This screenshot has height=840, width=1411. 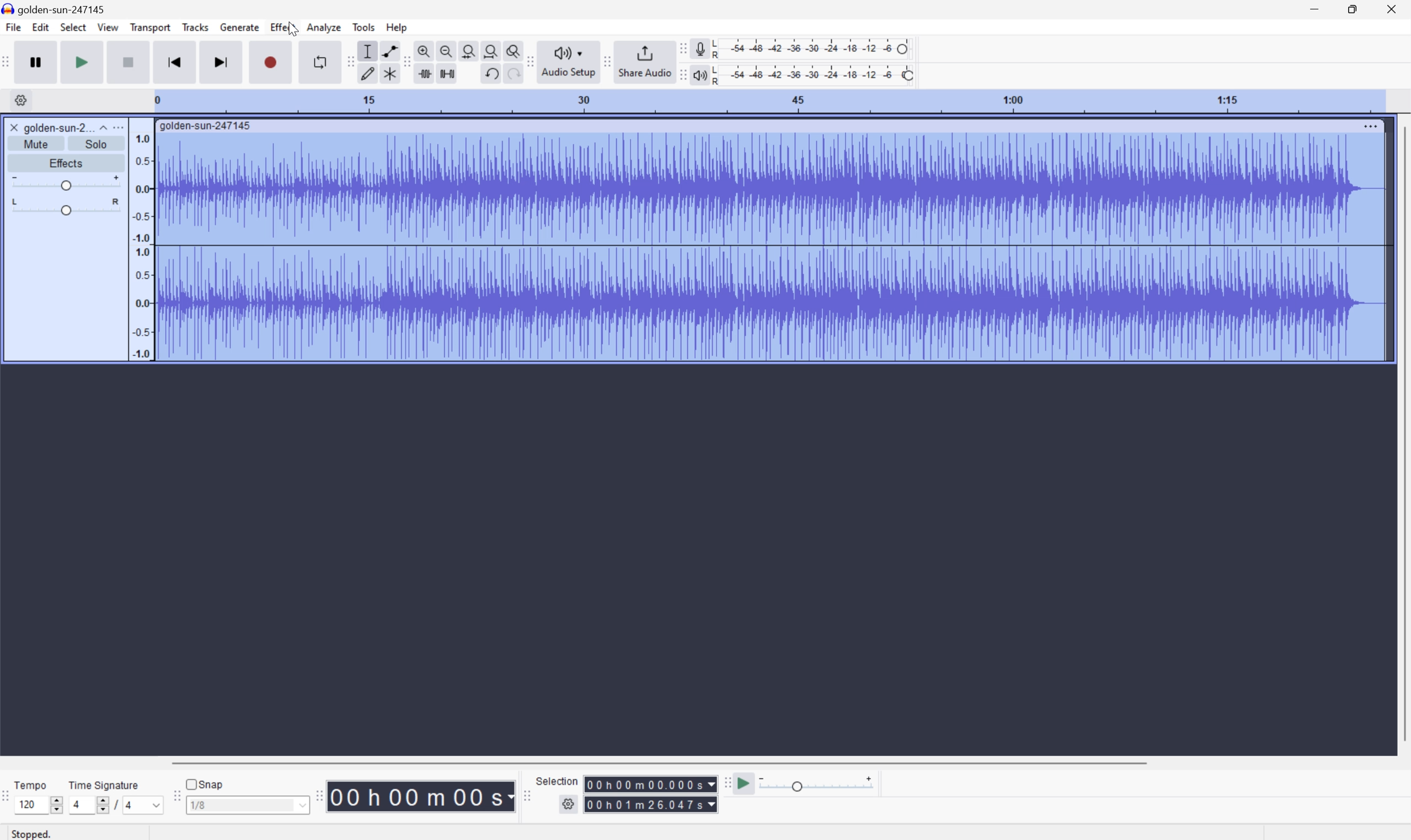 I want to click on Scale, so click(x=767, y=100).